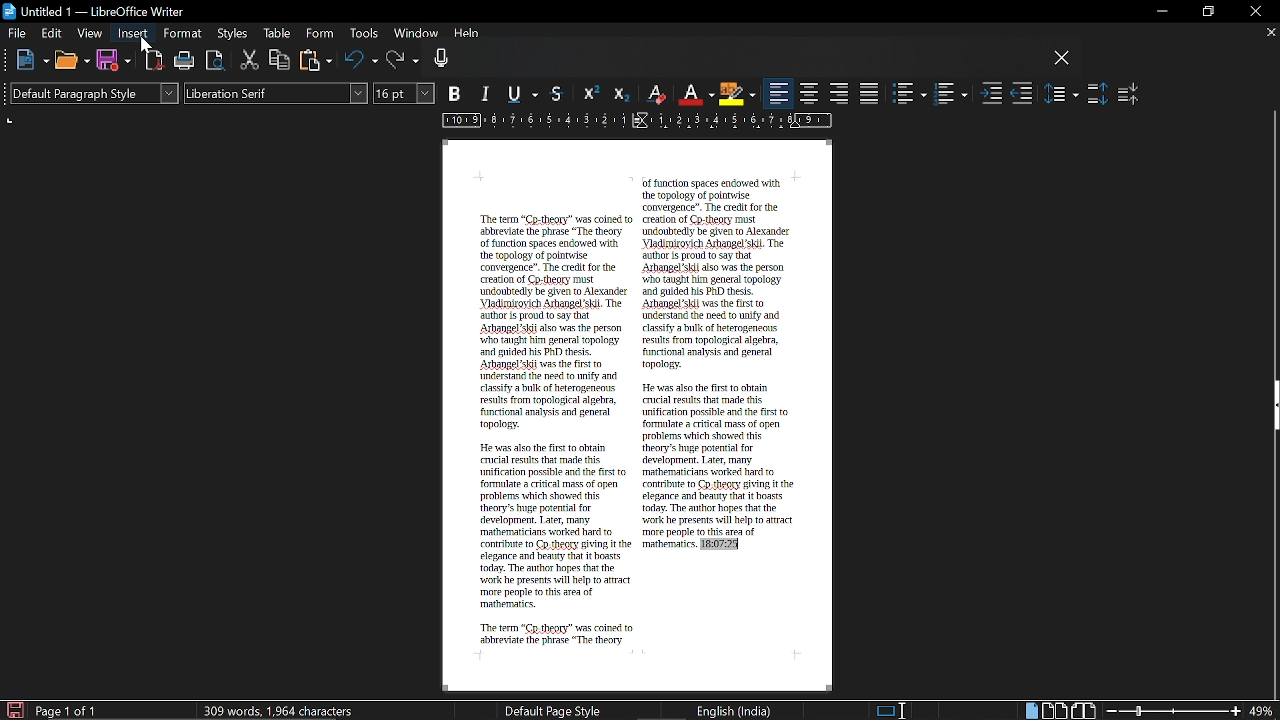  What do you see at coordinates (146, 46) in the screenshot?
I see `Cursor` at bounding box center [146, 46].